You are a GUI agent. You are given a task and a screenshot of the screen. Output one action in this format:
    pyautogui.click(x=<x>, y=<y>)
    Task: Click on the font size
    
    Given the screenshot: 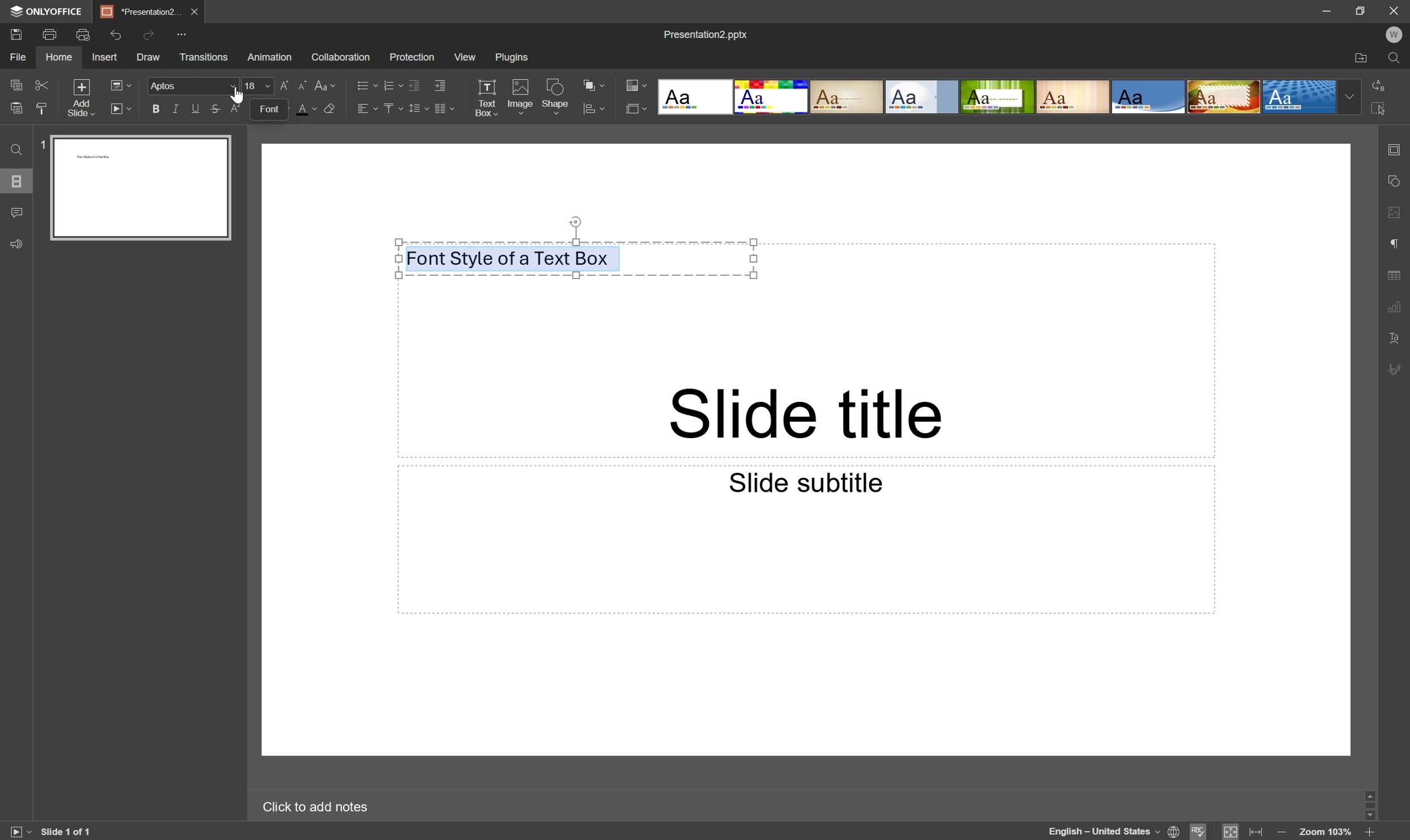 What is the action you would take?
    pyautogui.click(x=258, y=85)
    